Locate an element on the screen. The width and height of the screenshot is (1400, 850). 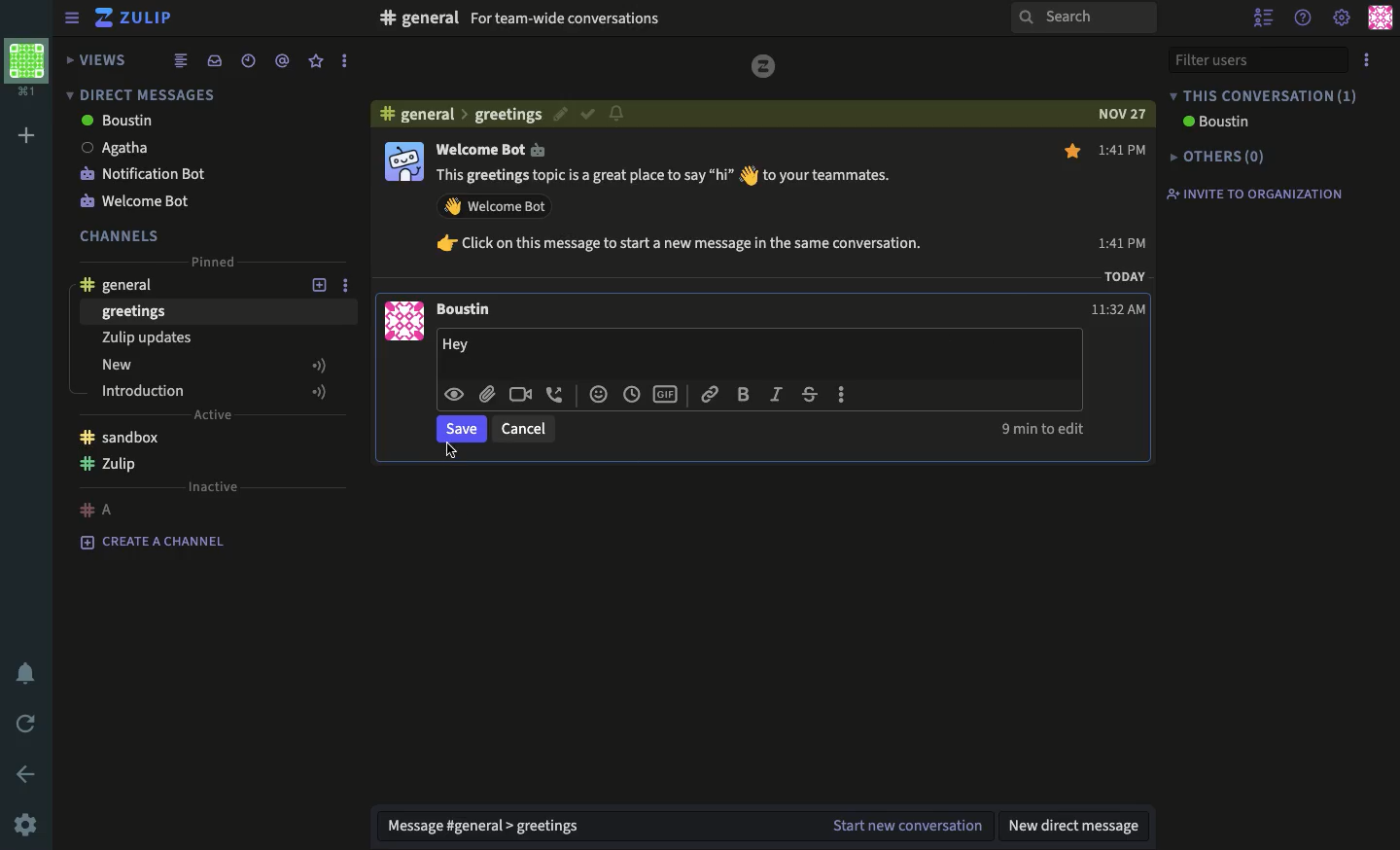
9 min to edit is located at coordinates (1043, 430).